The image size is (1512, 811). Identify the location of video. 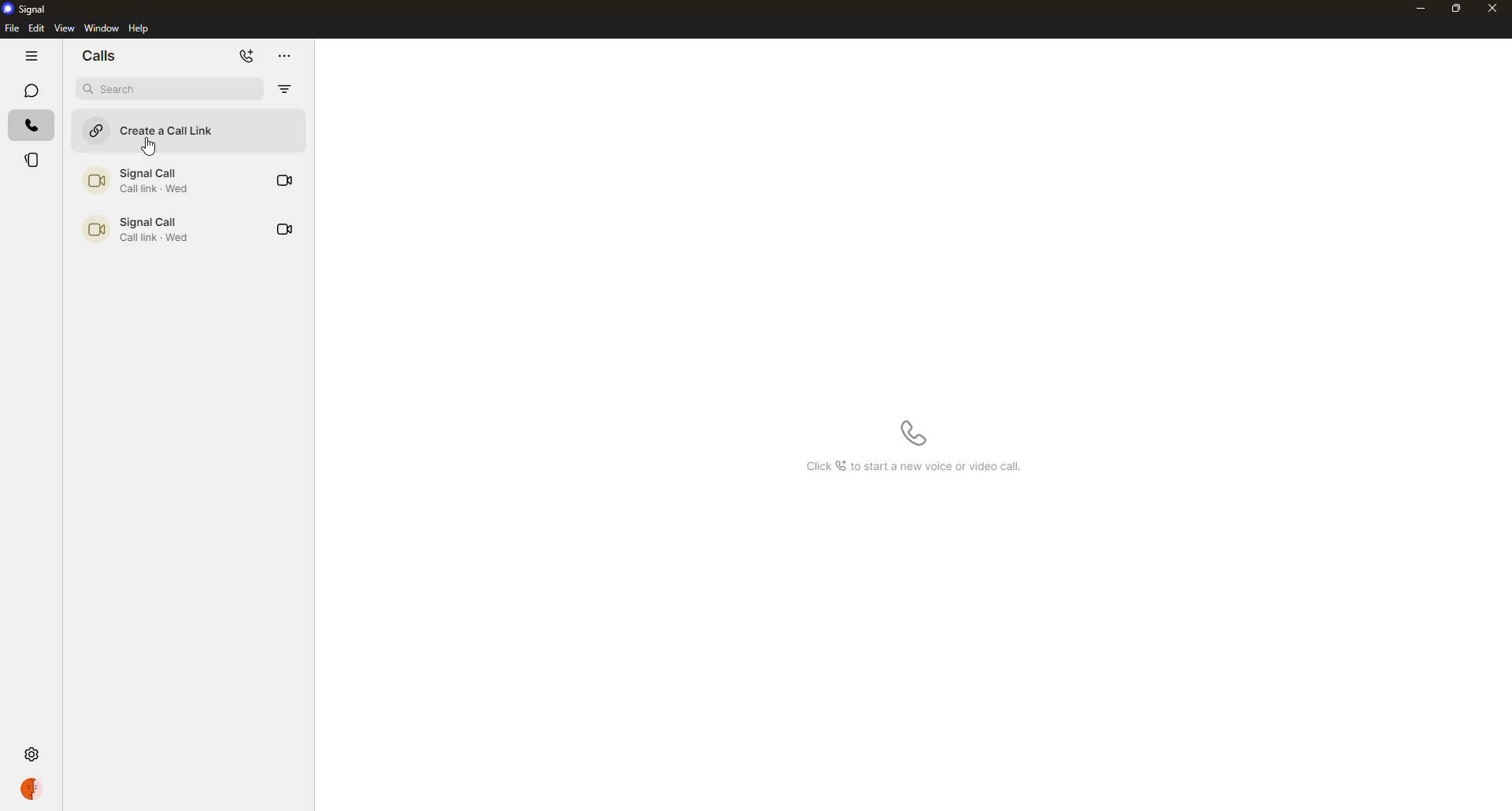
(284, 180).